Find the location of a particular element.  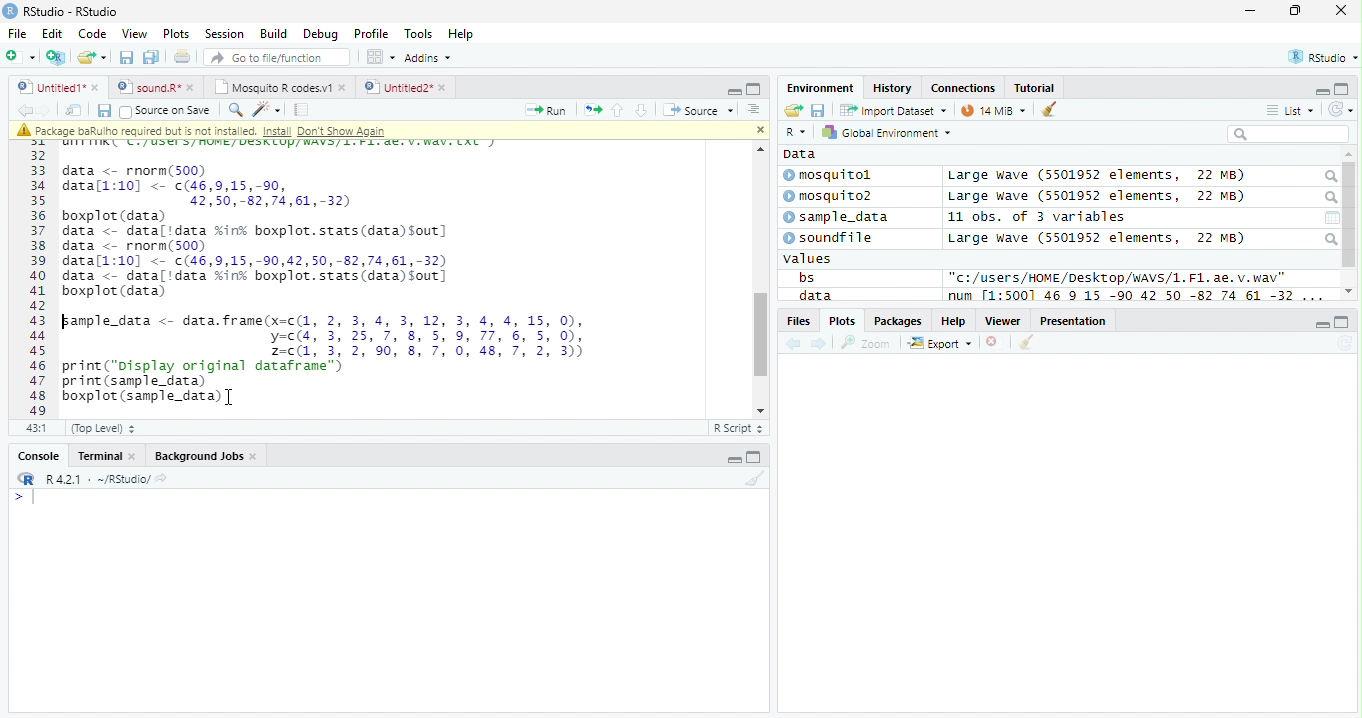

File is located at coordinates (18, 34).